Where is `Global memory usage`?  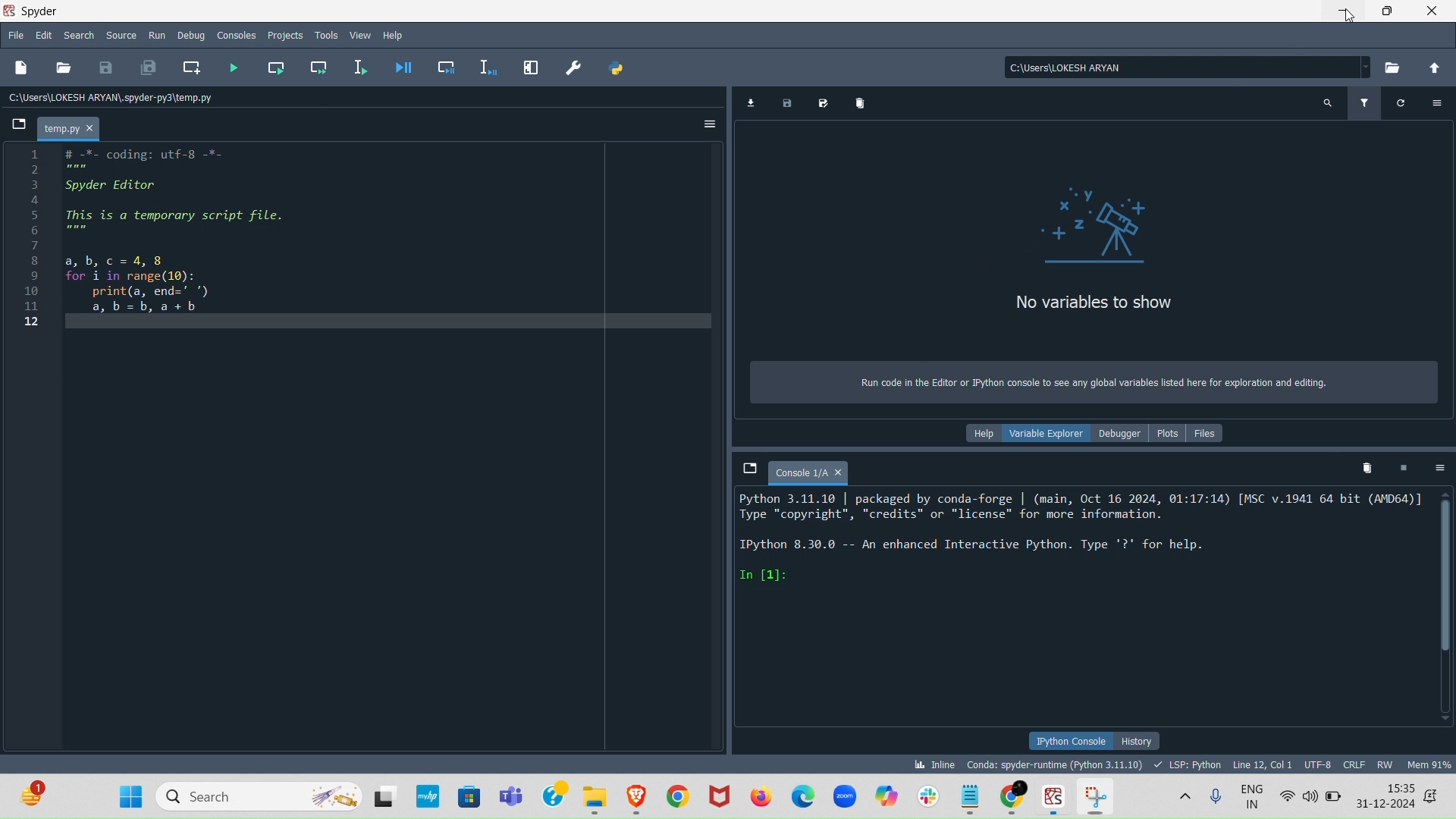
Global memory usage is located at coordinates (1428, 764).